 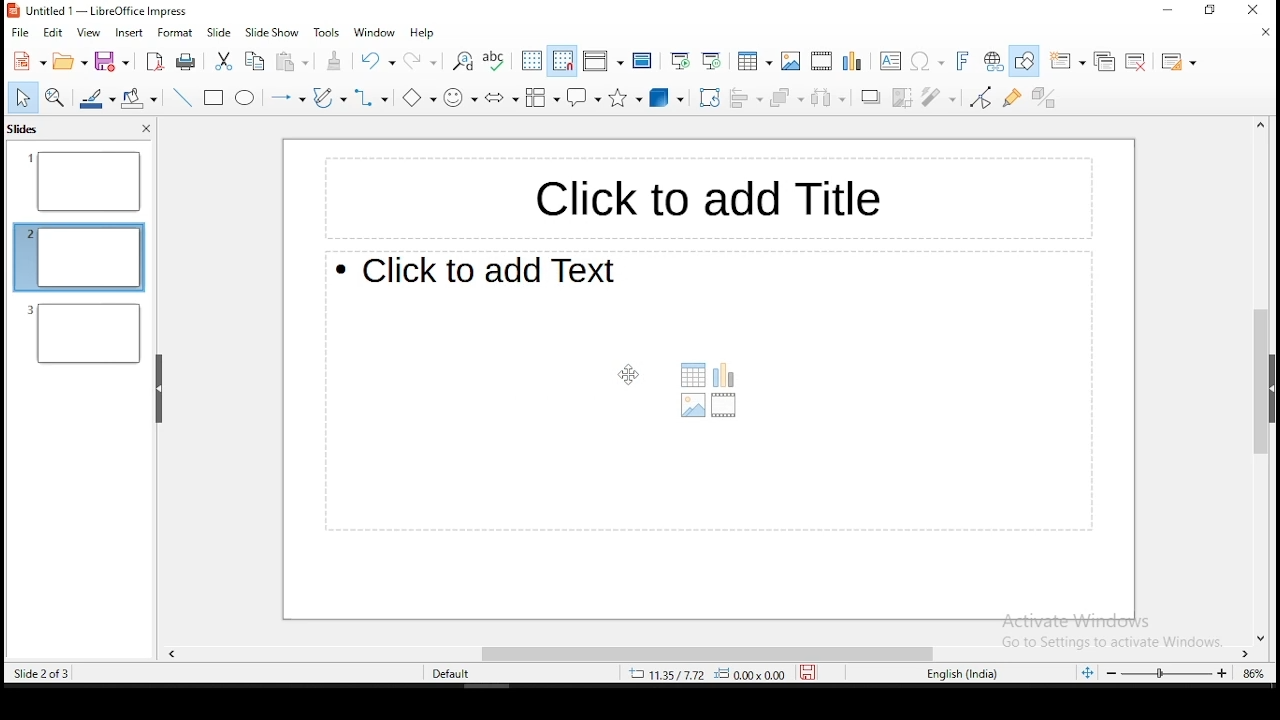 I want to click on align objects, so click(x=748, y=97).